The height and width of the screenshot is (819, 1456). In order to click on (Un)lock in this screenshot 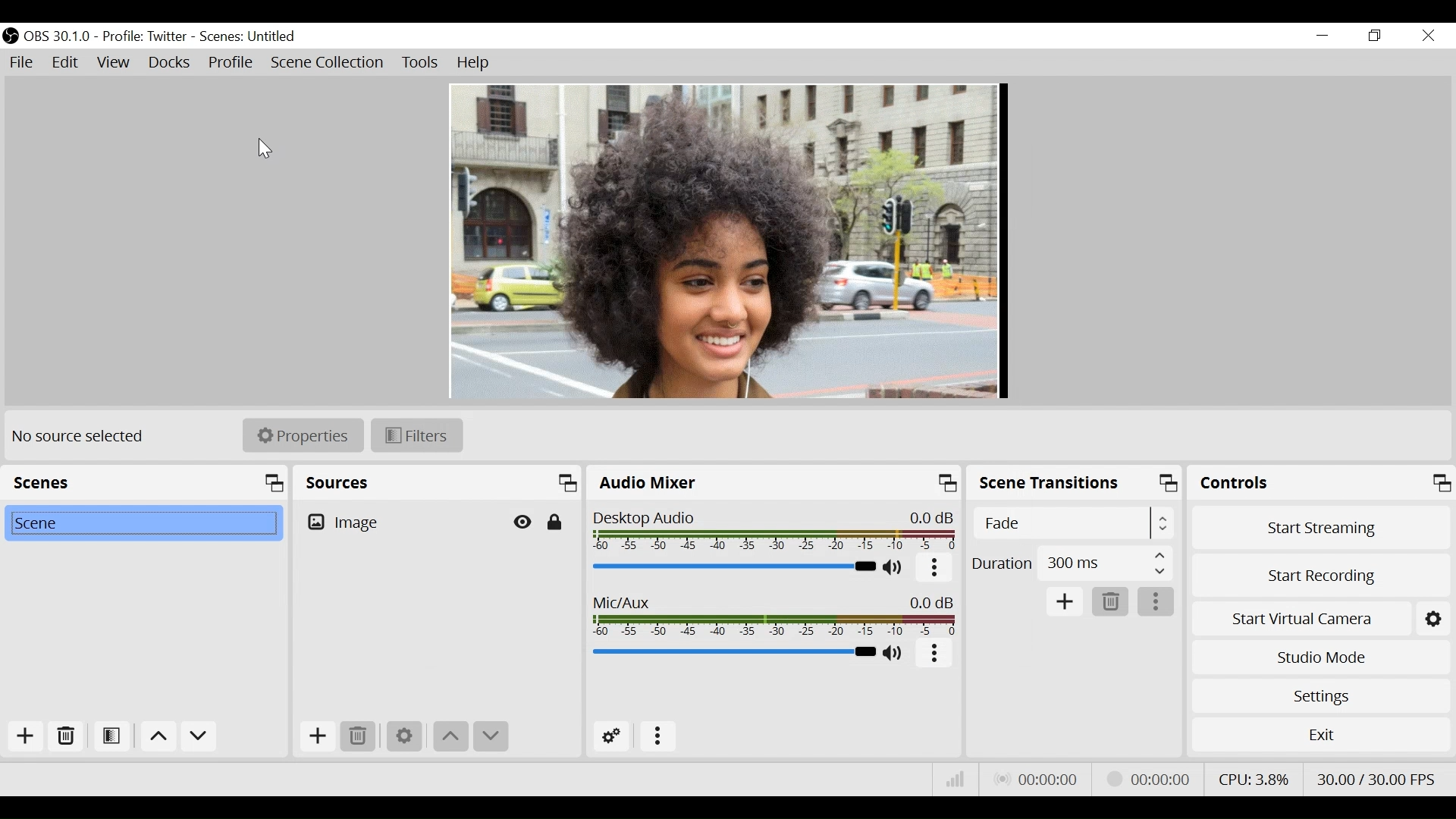, I will do `click(554, 522)`.